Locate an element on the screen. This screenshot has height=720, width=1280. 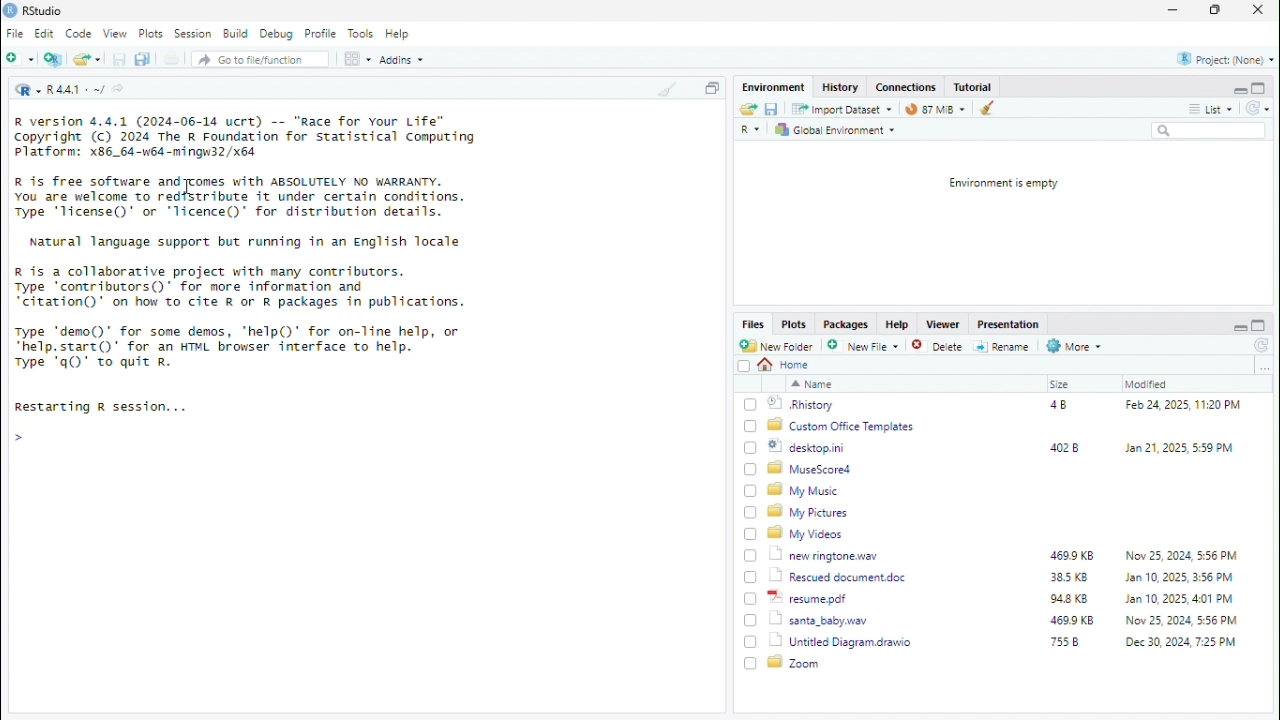
save is located at coordinates (773, 109).